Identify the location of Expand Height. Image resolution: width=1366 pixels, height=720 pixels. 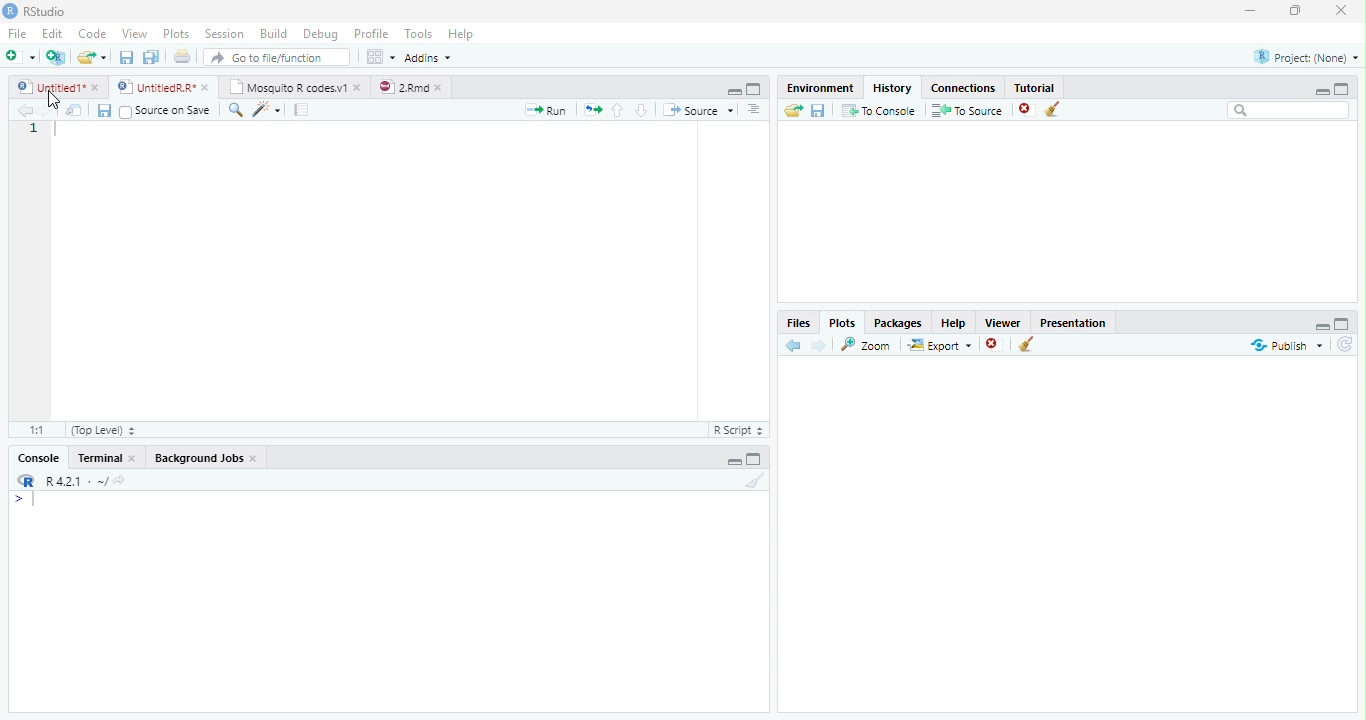
(755, 459).